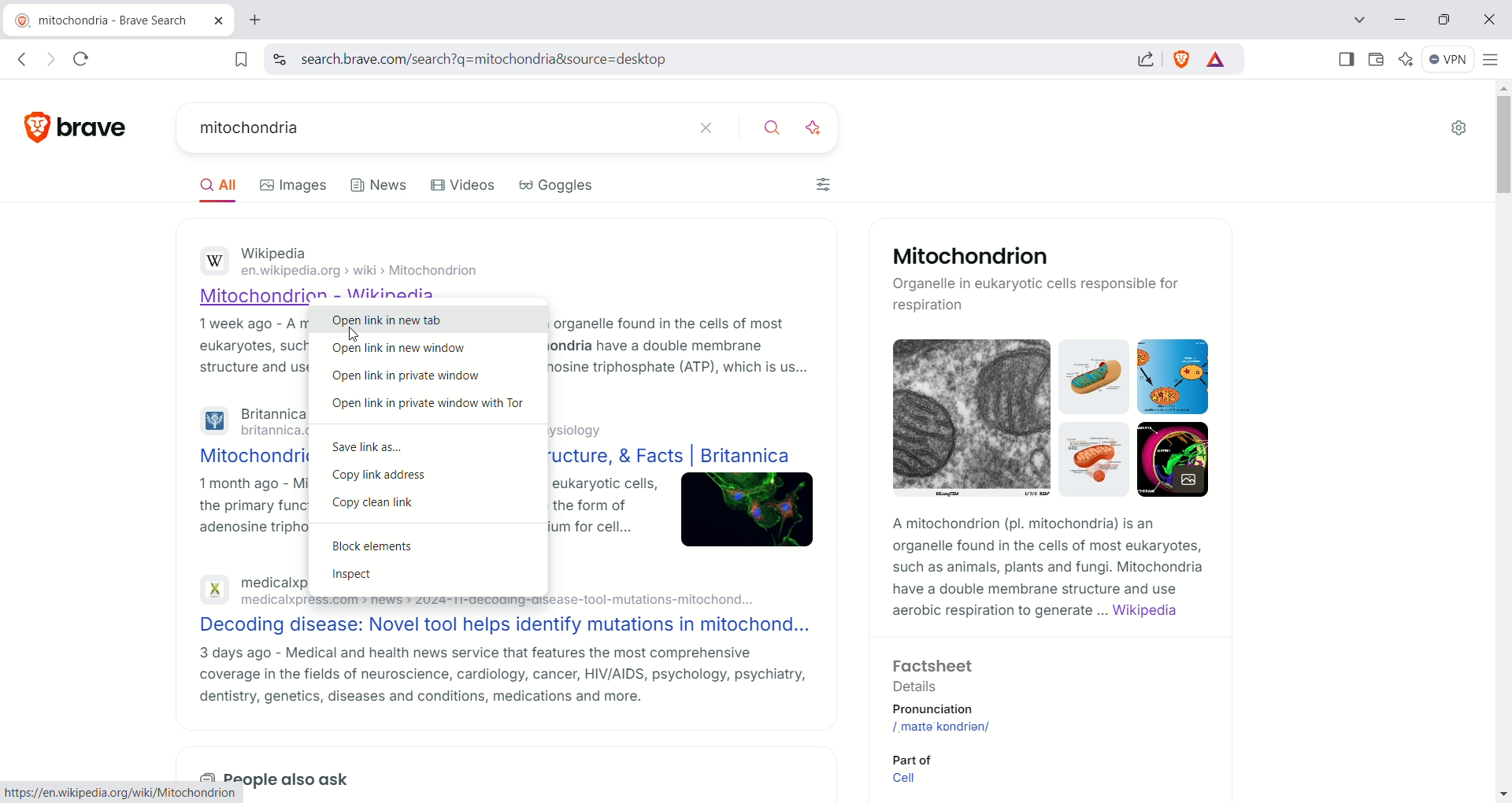 Image resolution: width=1512 pixels, height=803 pixels. What do you see at coordinates (367, 447) in the screenshot?
I see `save lins as` at bounding box center [367, 447].